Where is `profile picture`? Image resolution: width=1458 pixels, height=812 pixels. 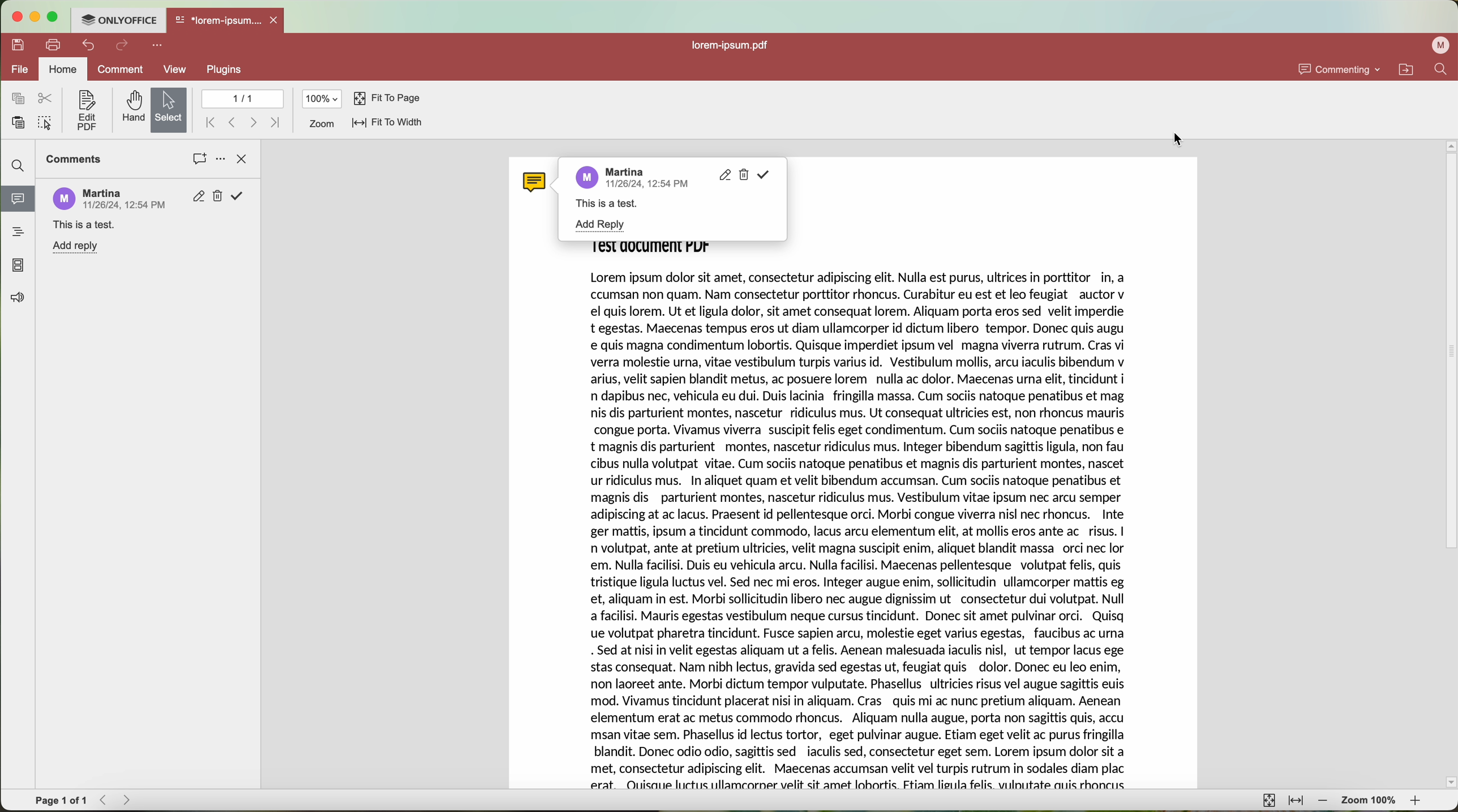 profile picture is located at coordinates (63, 197).